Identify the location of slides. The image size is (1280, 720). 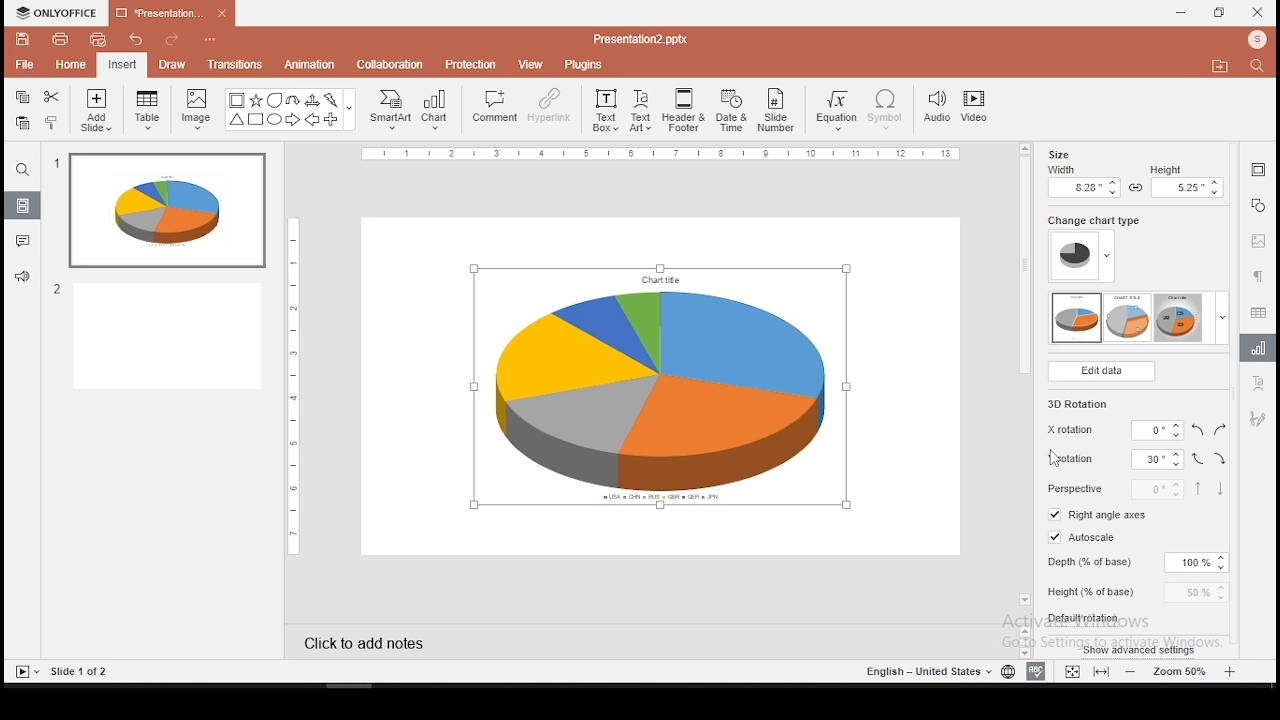
(21, 205).